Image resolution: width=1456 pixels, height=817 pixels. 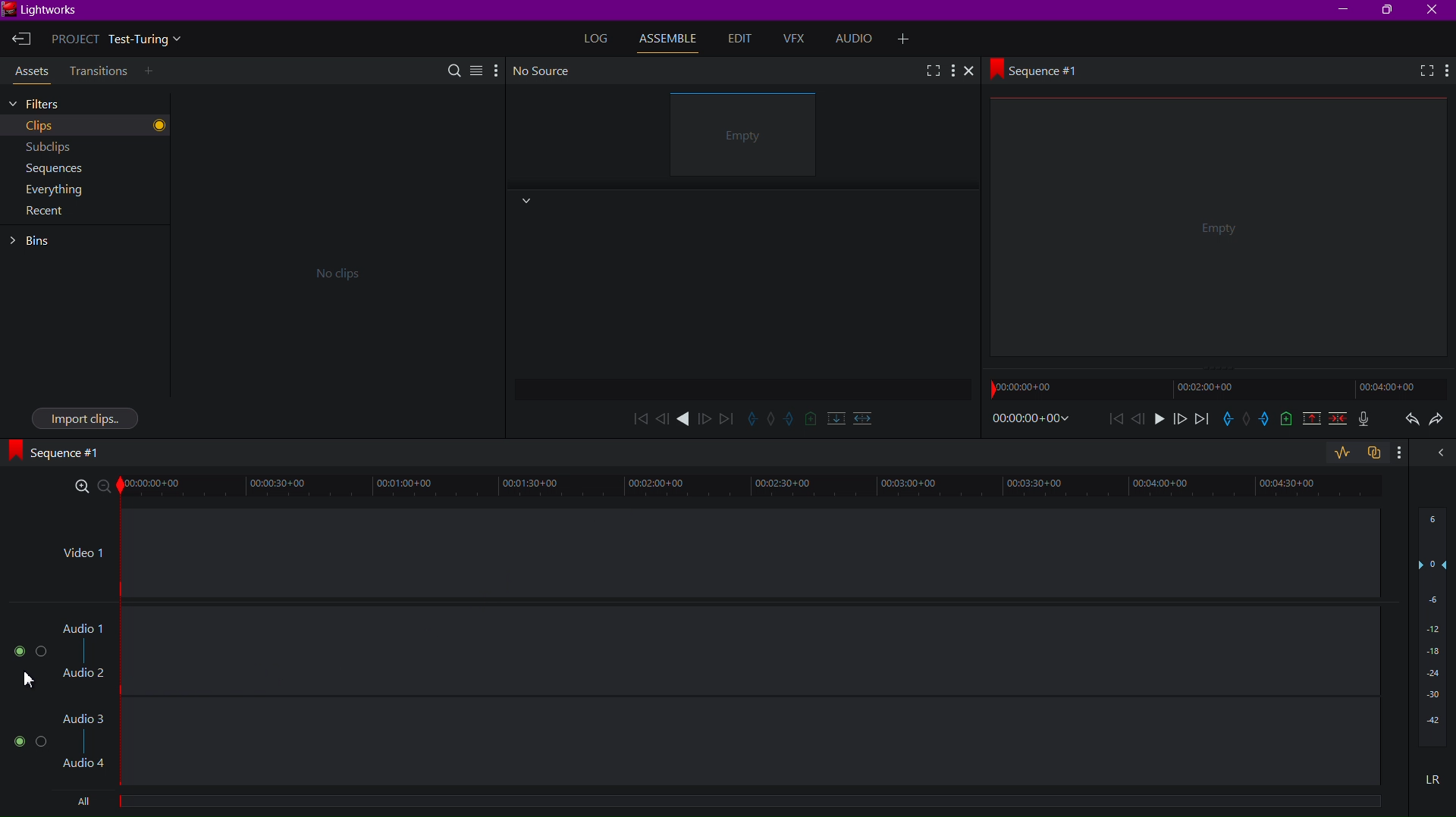 What do you see at coordinates (27, 679) in the screenshot?
I see `cursor` at bounding box center [27, 679].